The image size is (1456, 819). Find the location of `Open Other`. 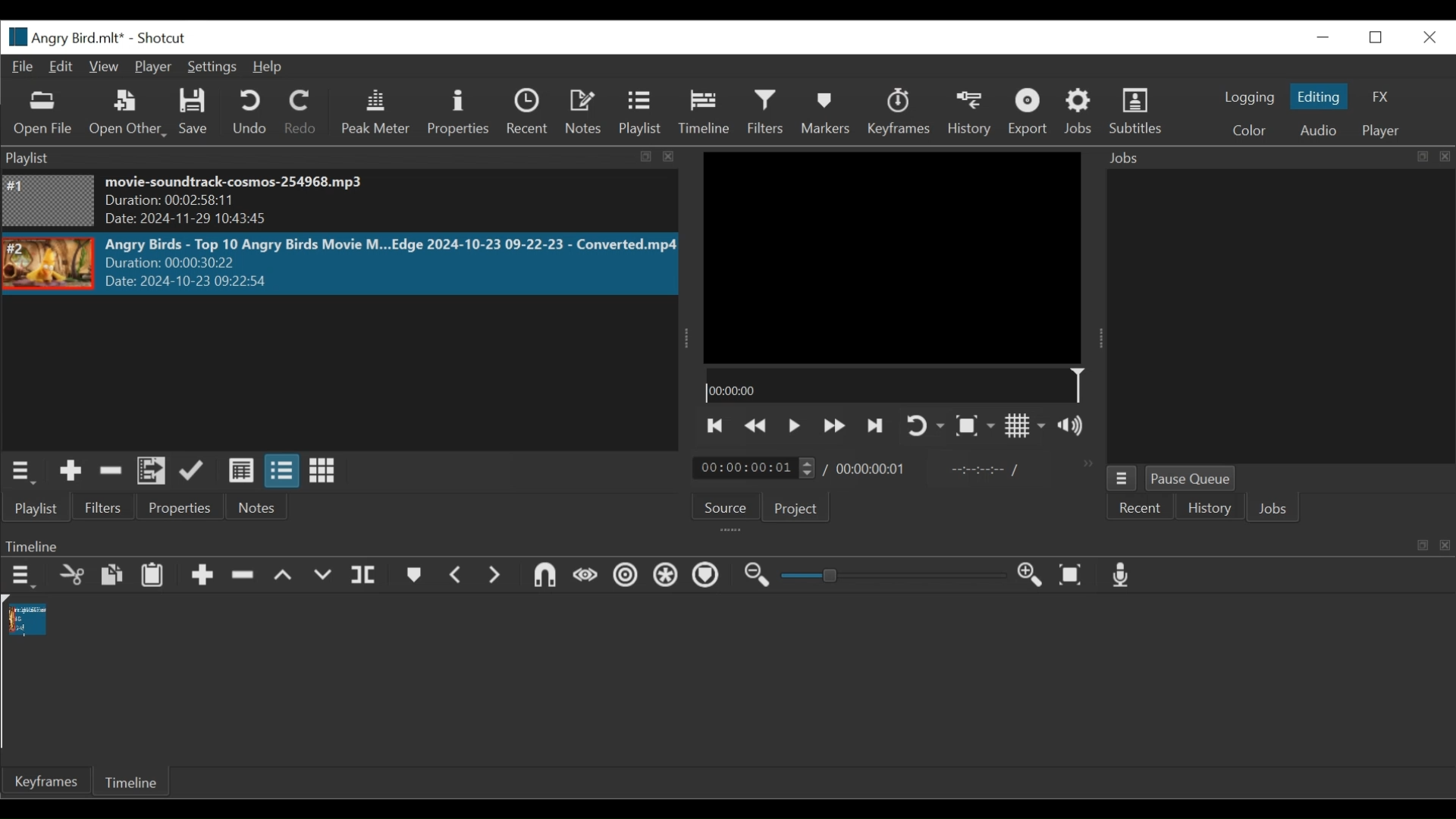

Open Other is located at coordinates (128, 114).